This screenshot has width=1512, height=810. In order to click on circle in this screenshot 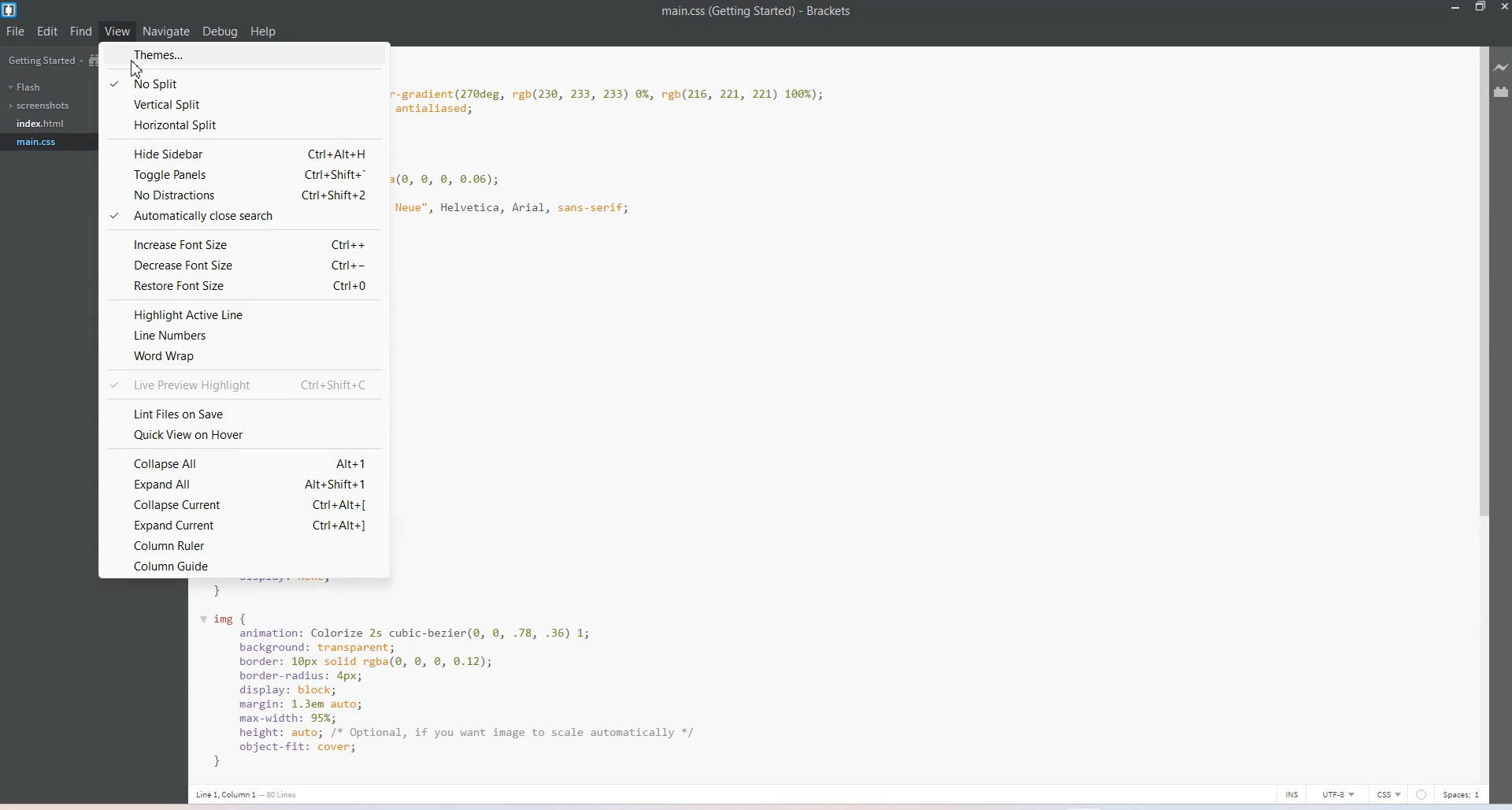, I will do `click(1421, 794)`.